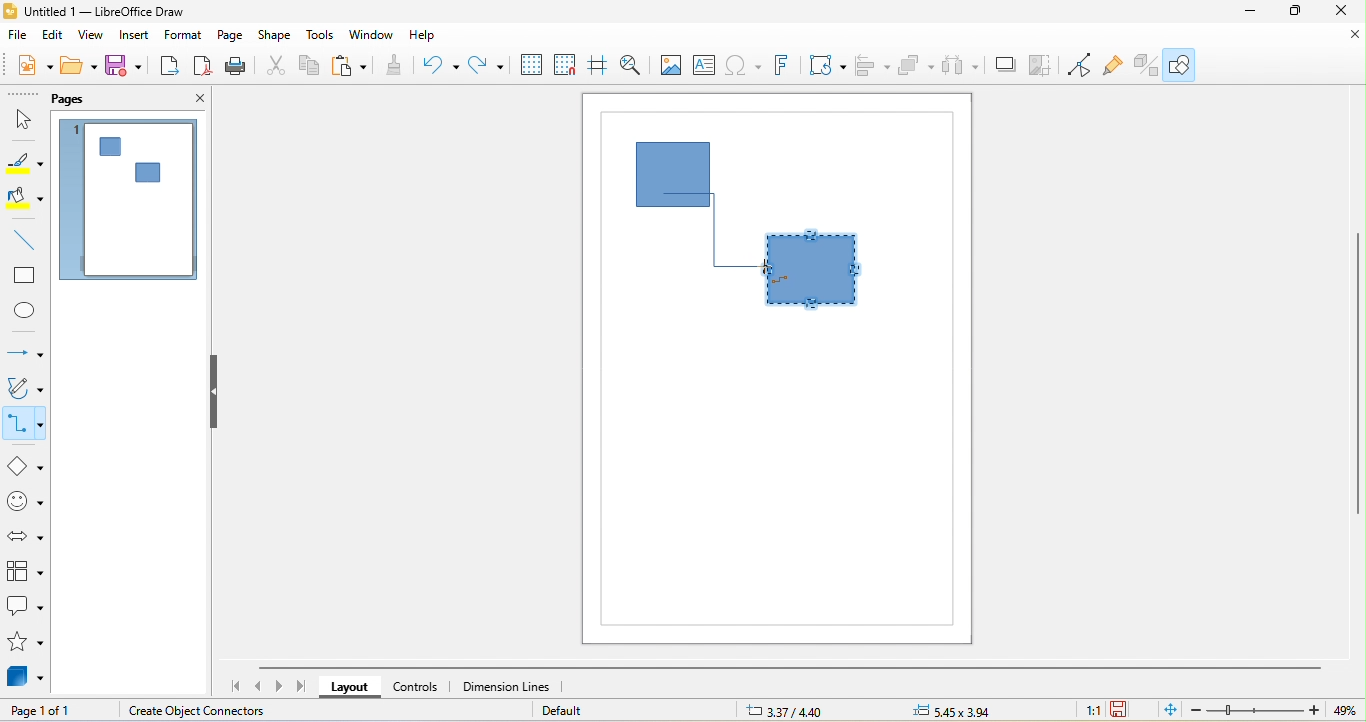 The image size is (1366, 722). What do you see at coordinates (313, 66) in the screenshot?
I see `copy` at bounding box center [313, 66].